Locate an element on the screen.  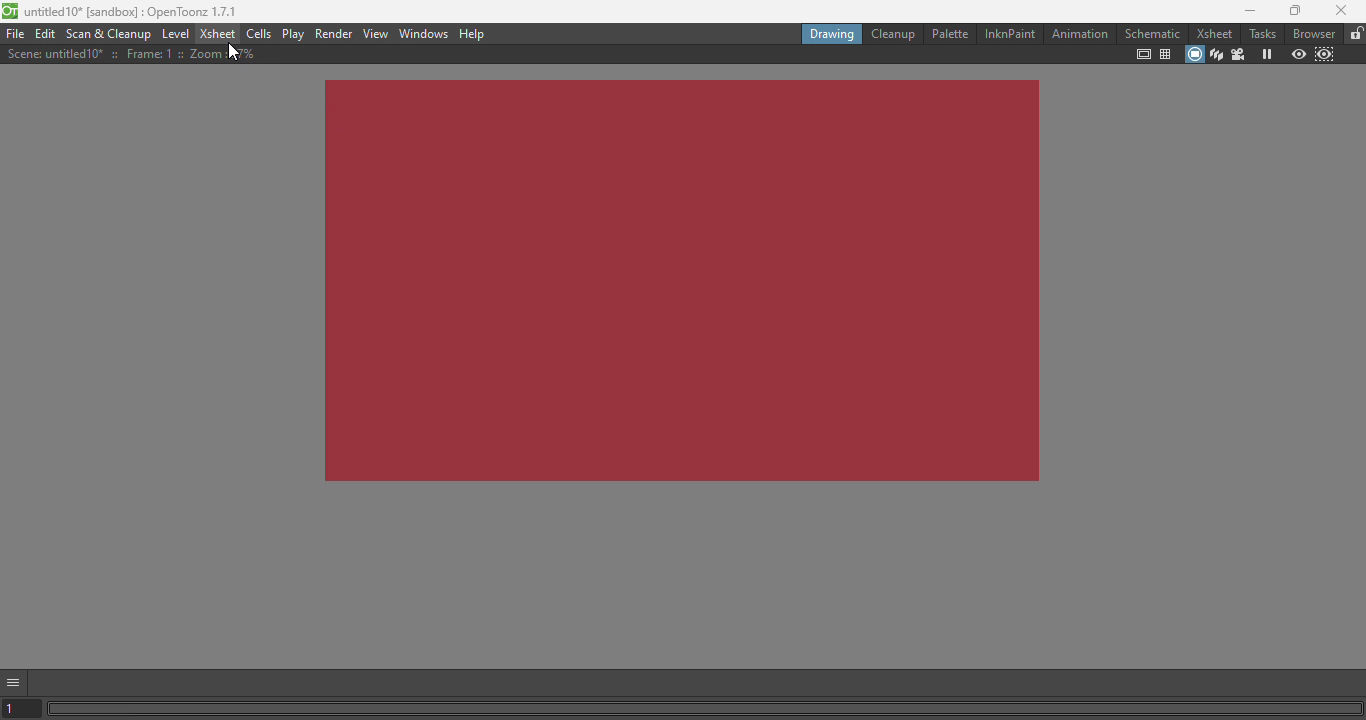
Set the current frame is located at coordinates (21, 710).